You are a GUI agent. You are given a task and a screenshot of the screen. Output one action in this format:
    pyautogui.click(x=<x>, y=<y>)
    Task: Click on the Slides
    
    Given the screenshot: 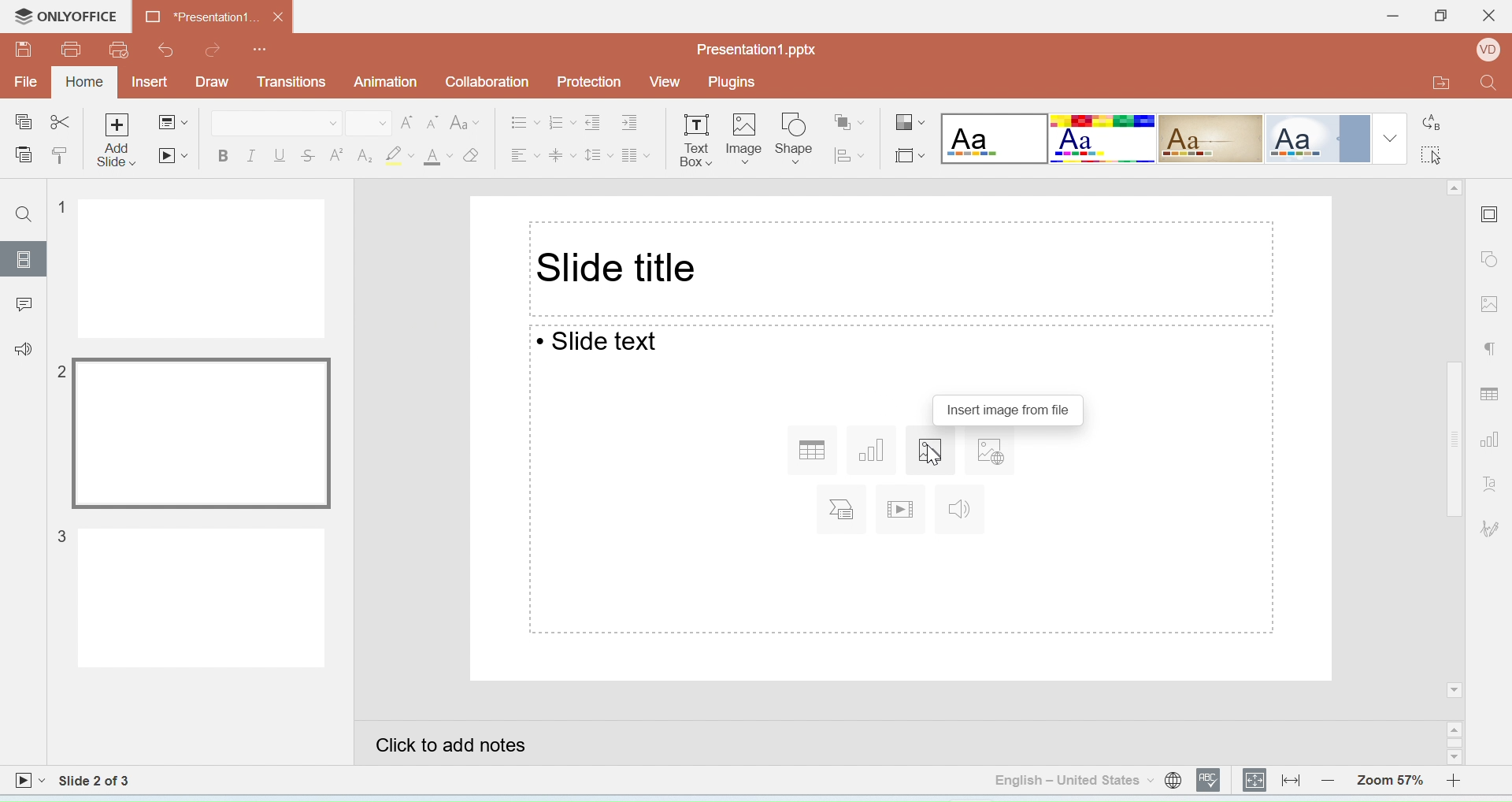 What is the action you would take?
    pyautogui.click(x=23, y=259)
    